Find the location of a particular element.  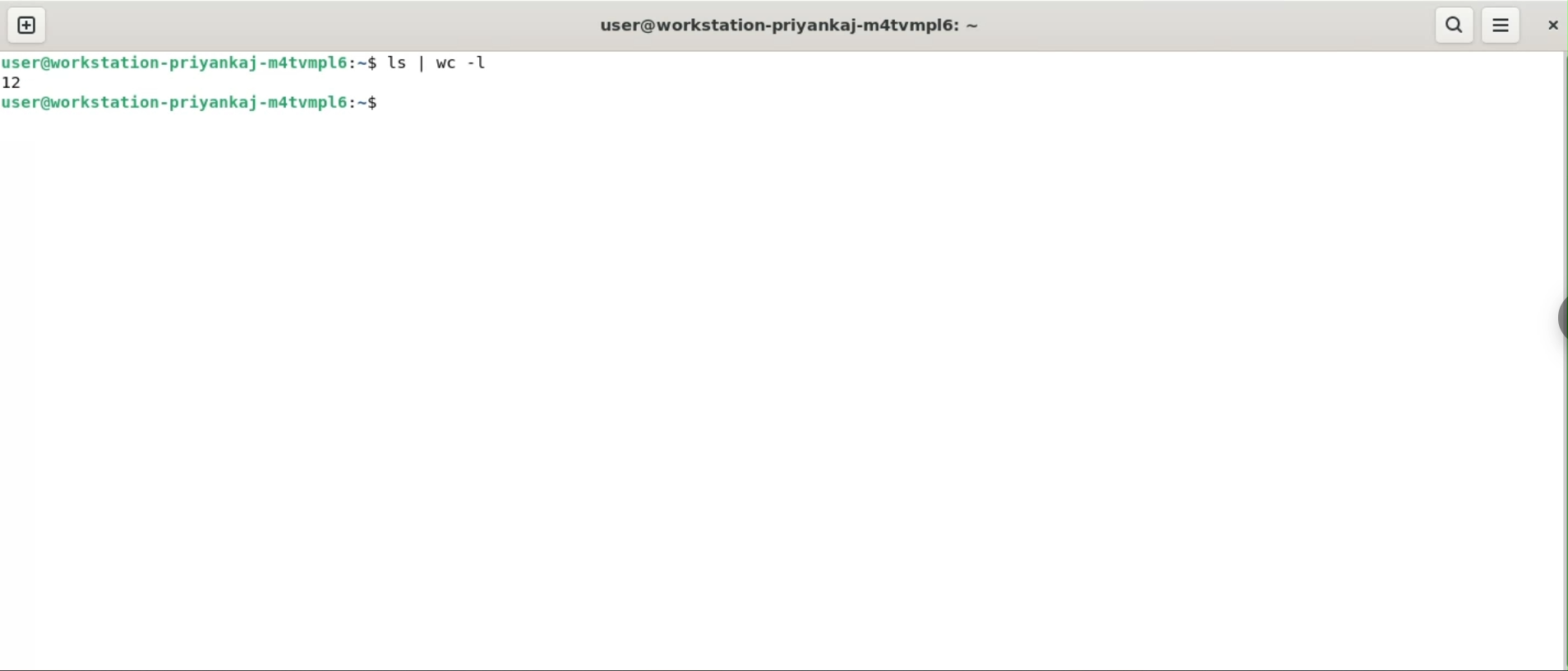

menu is located at coordinates (1502, 26).